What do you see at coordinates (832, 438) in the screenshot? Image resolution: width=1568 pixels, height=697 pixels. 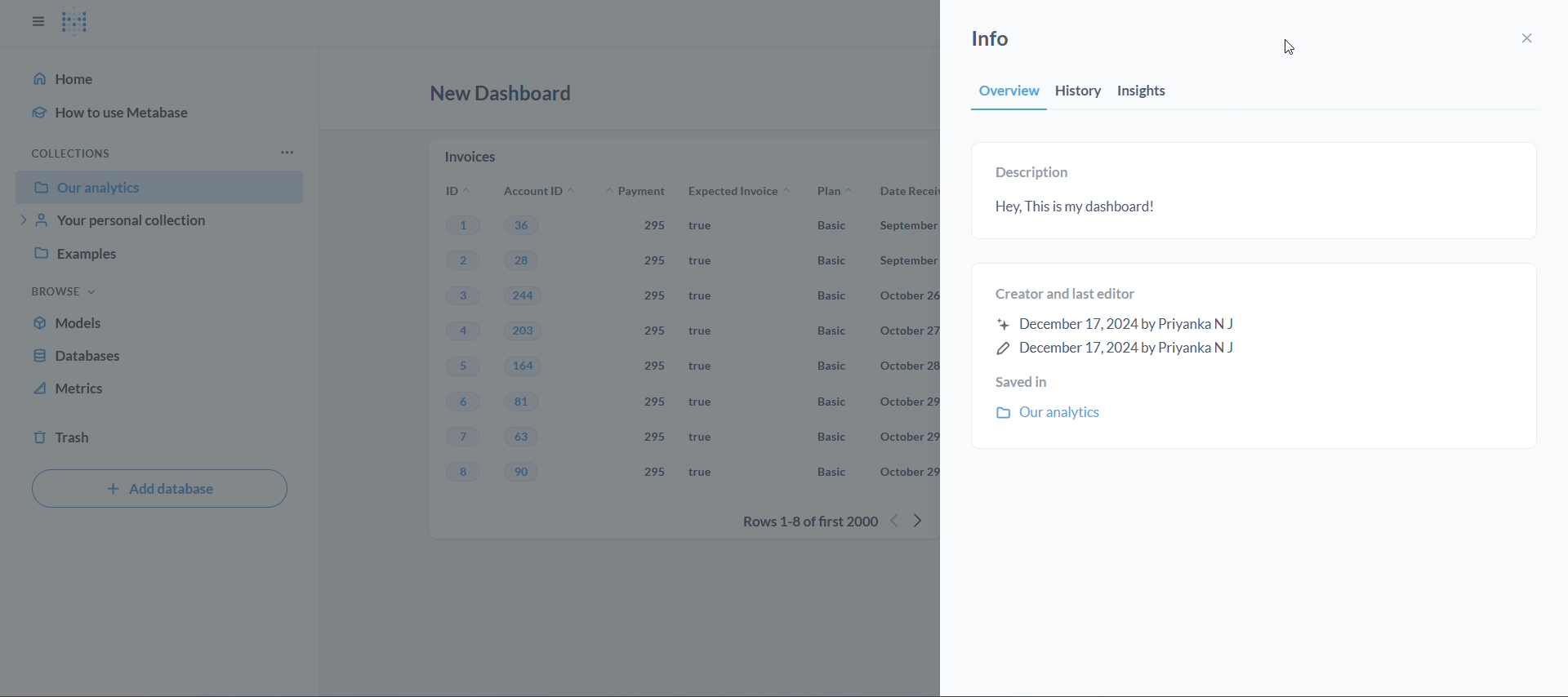 I see `Basic` at bounding box center [832, 438].